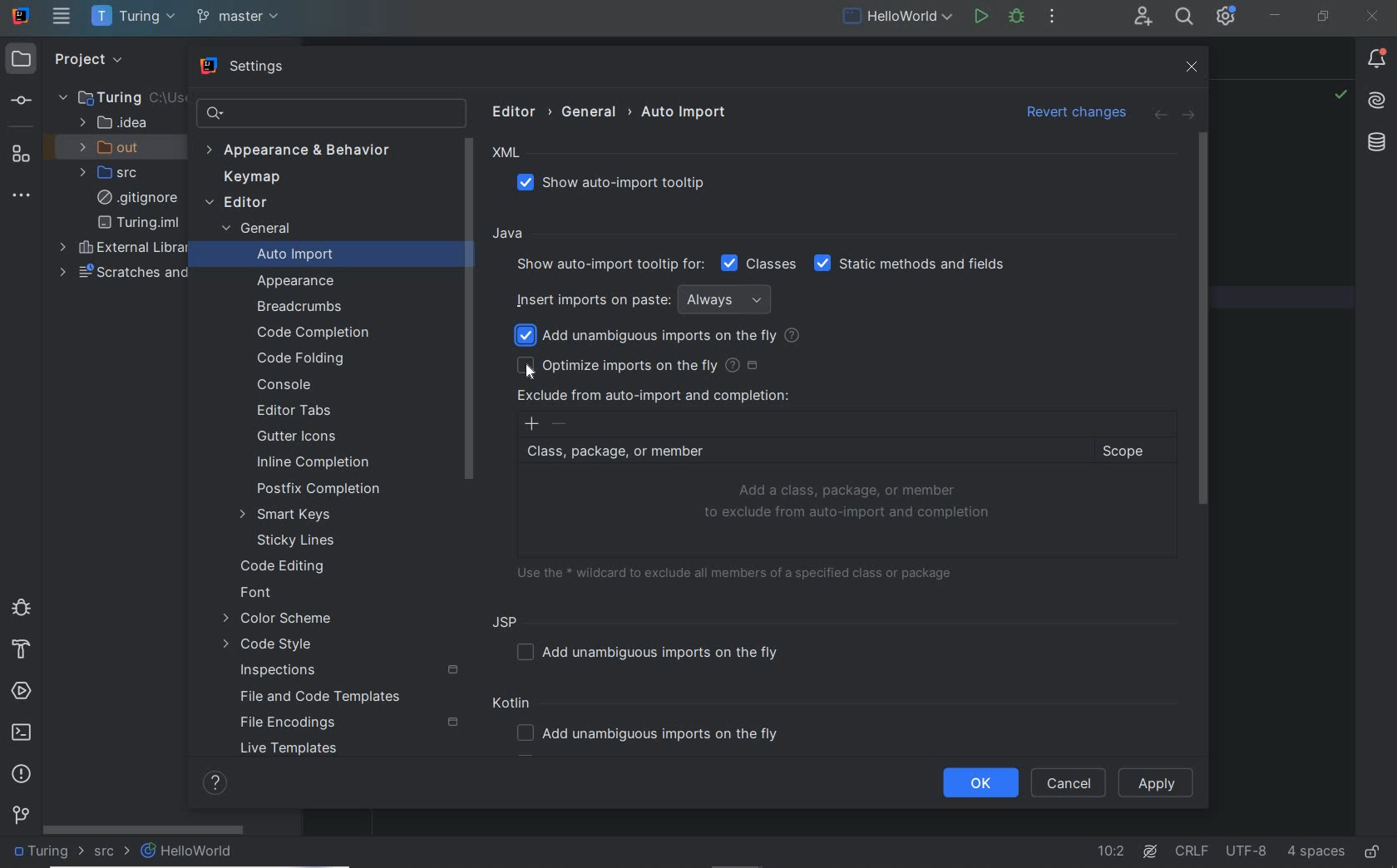 Image resolution: width=1397 pixels, height=868 pixels. Describe the element at coordinates (1374, 844) in the screenshot. I see `EDIT OR READ ONLY` at that location.